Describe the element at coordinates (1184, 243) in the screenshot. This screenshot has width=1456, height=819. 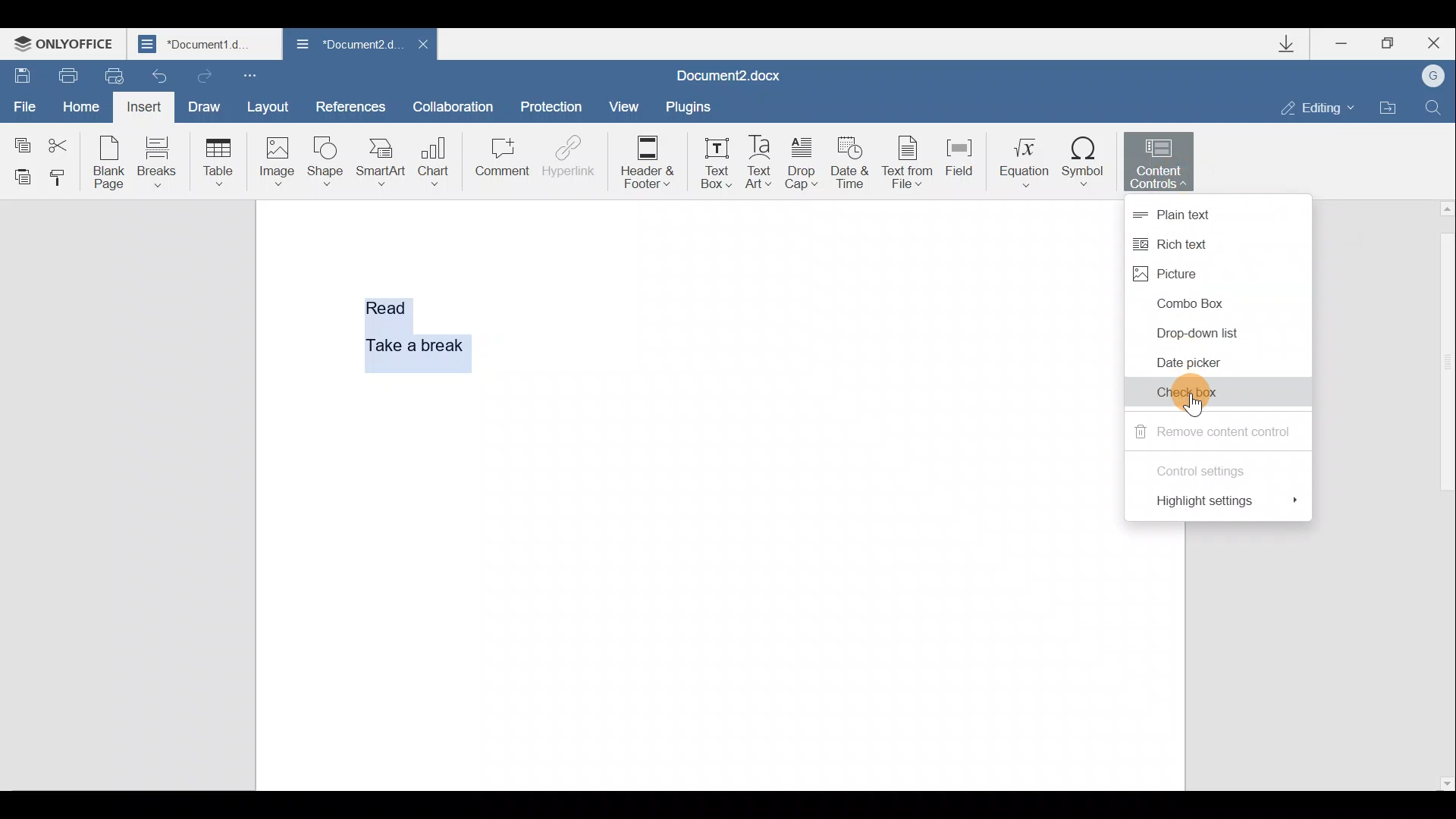
I see `Rich text` at that location.